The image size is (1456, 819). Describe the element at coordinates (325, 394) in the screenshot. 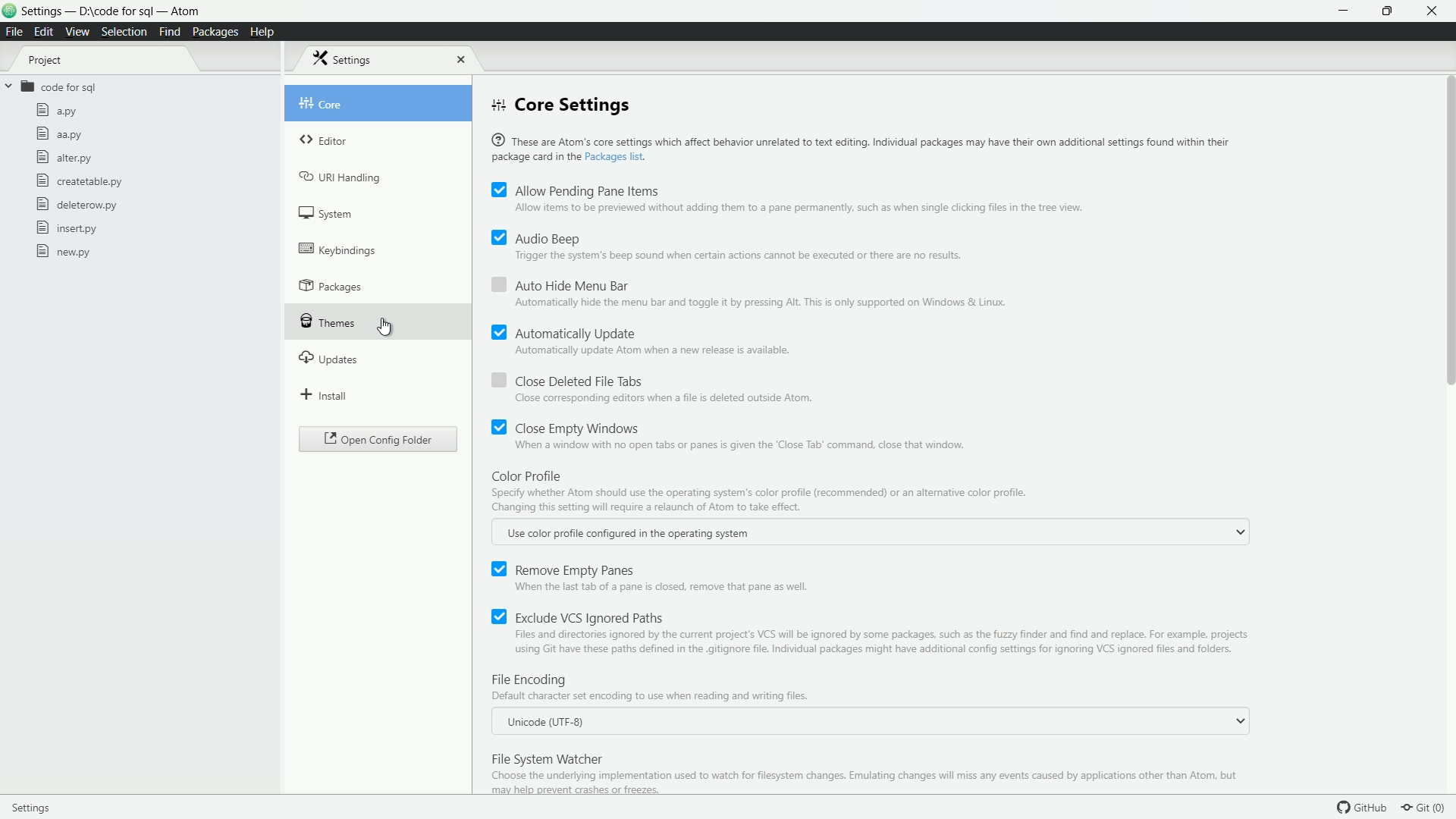

I see `install` at that location.